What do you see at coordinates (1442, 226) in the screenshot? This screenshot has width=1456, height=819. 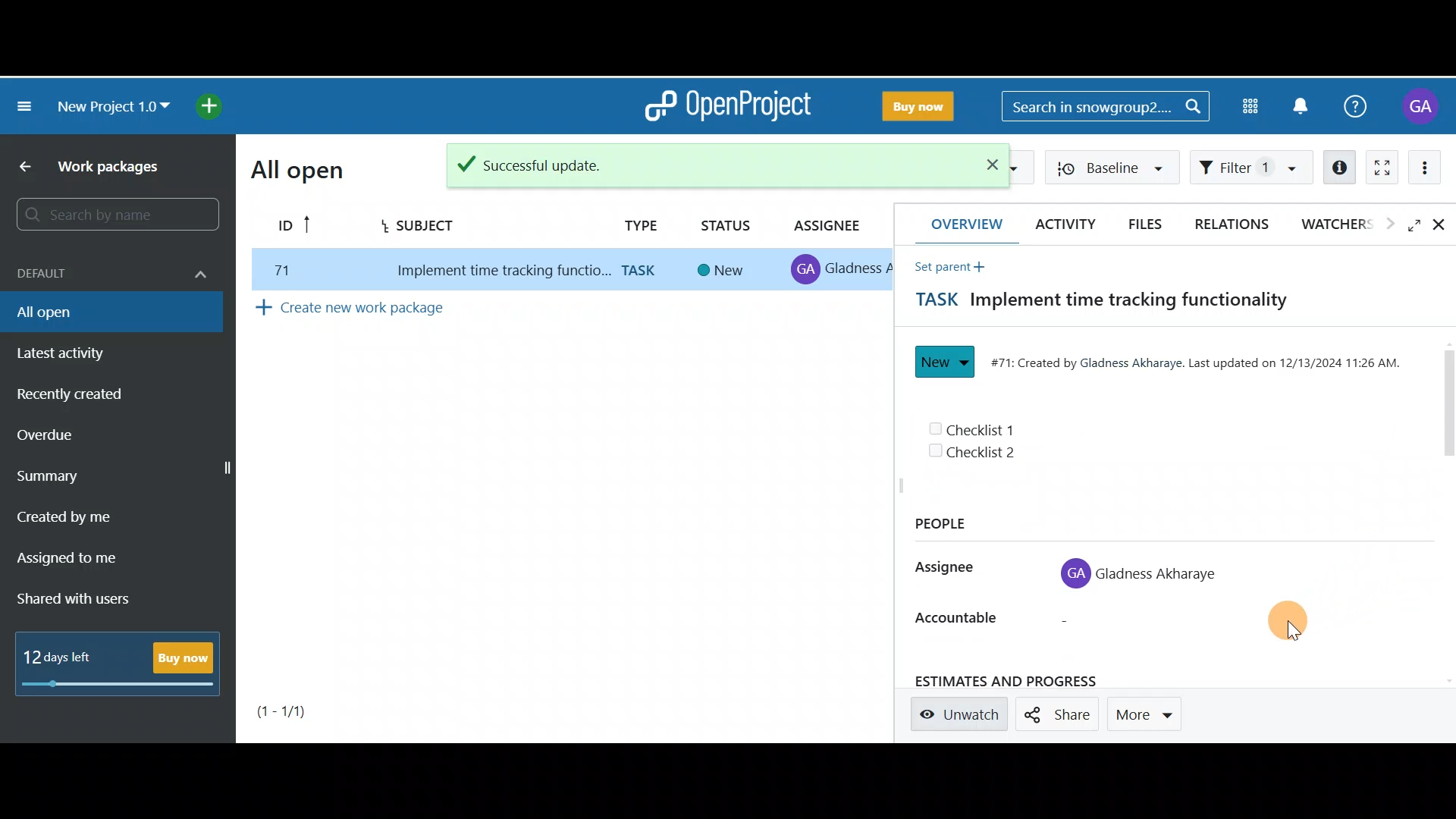 I see `Close details view` at bounding box center [1442, 226].